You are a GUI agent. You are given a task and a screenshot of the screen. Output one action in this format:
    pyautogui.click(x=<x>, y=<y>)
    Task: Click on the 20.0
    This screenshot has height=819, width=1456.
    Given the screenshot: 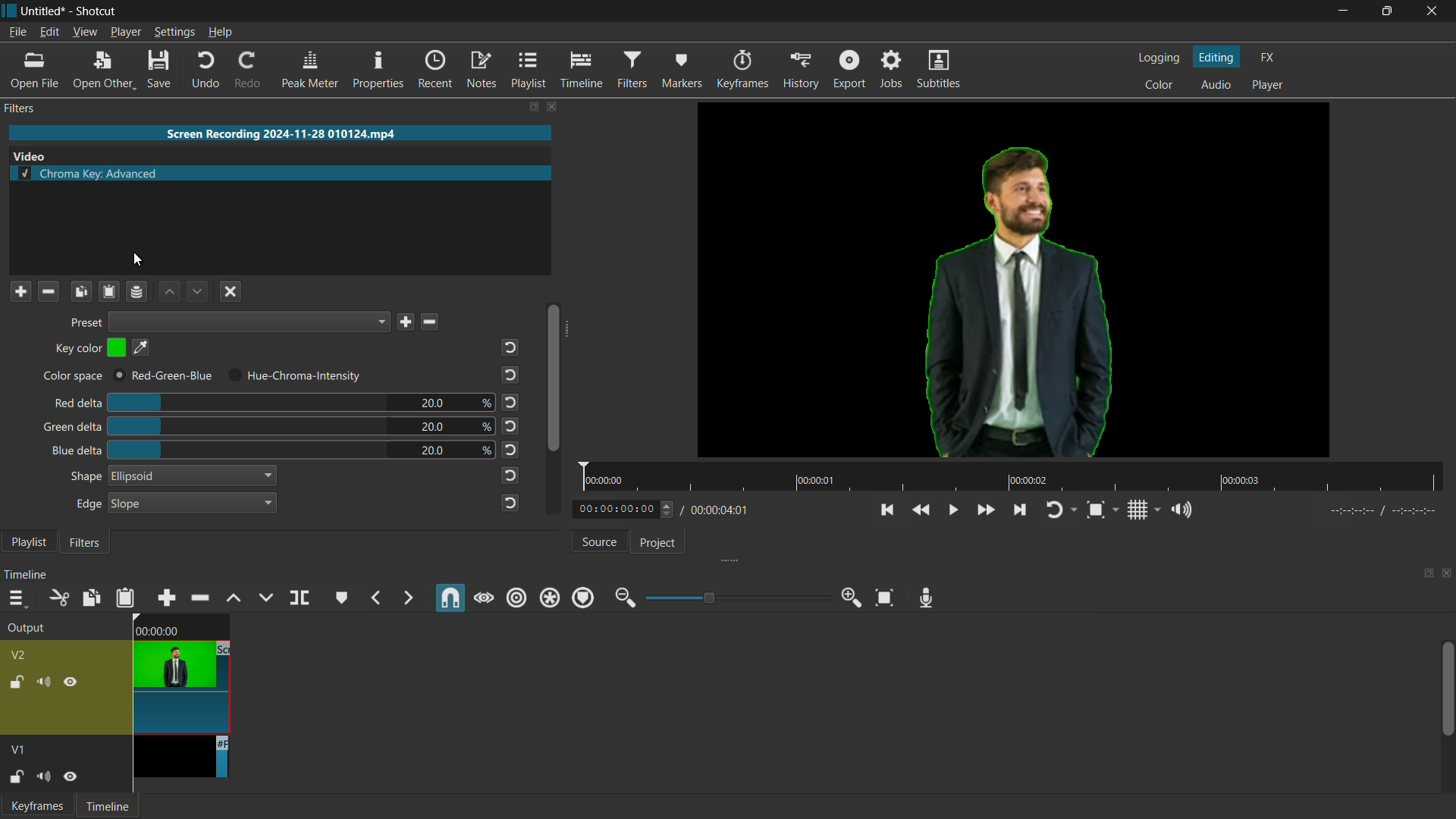 What is the action you would take?
    pyautogui.click(x=434, y=451)
    